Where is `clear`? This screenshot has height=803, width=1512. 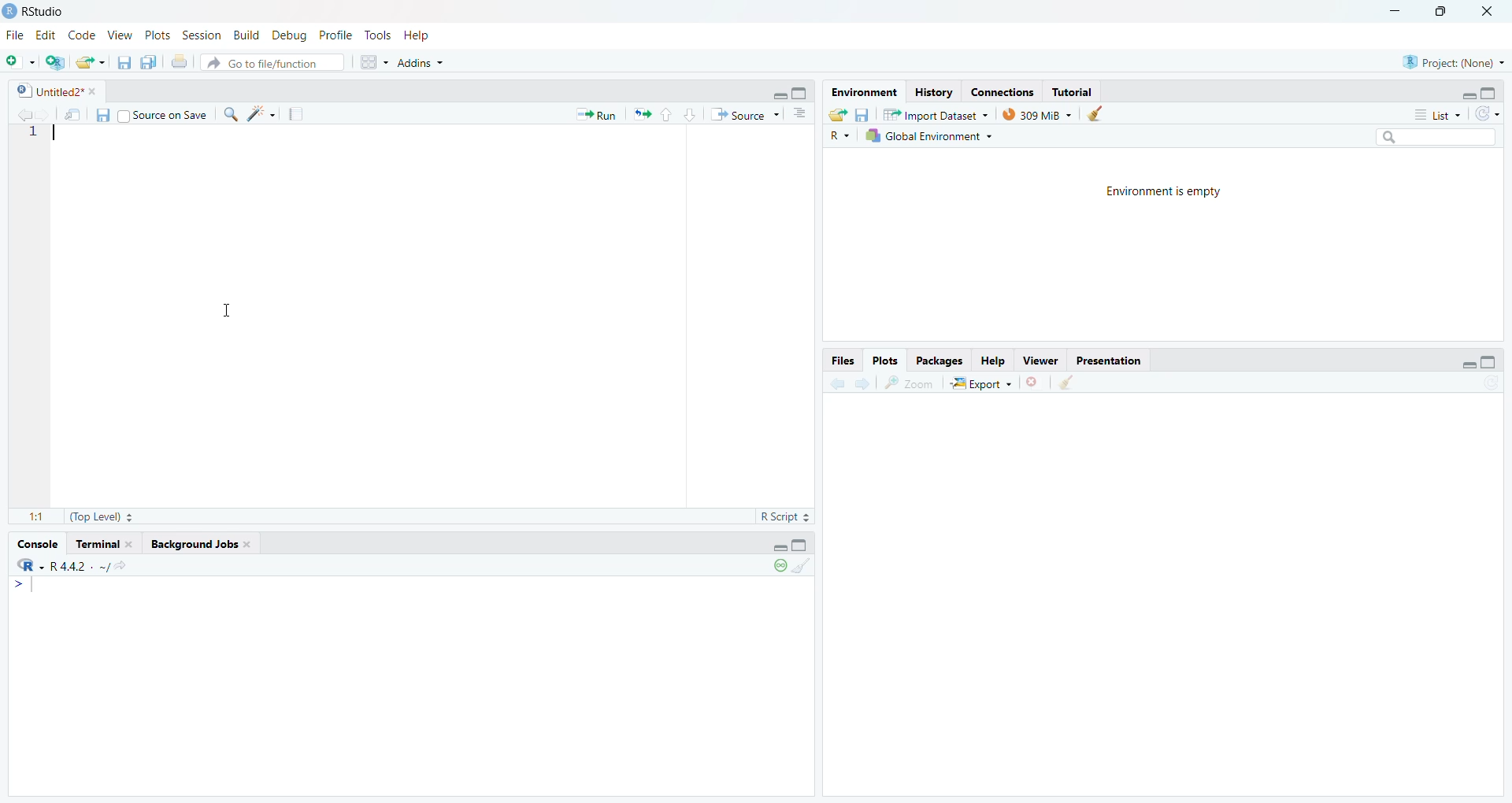 clear is located at coordinates (1065, 385).